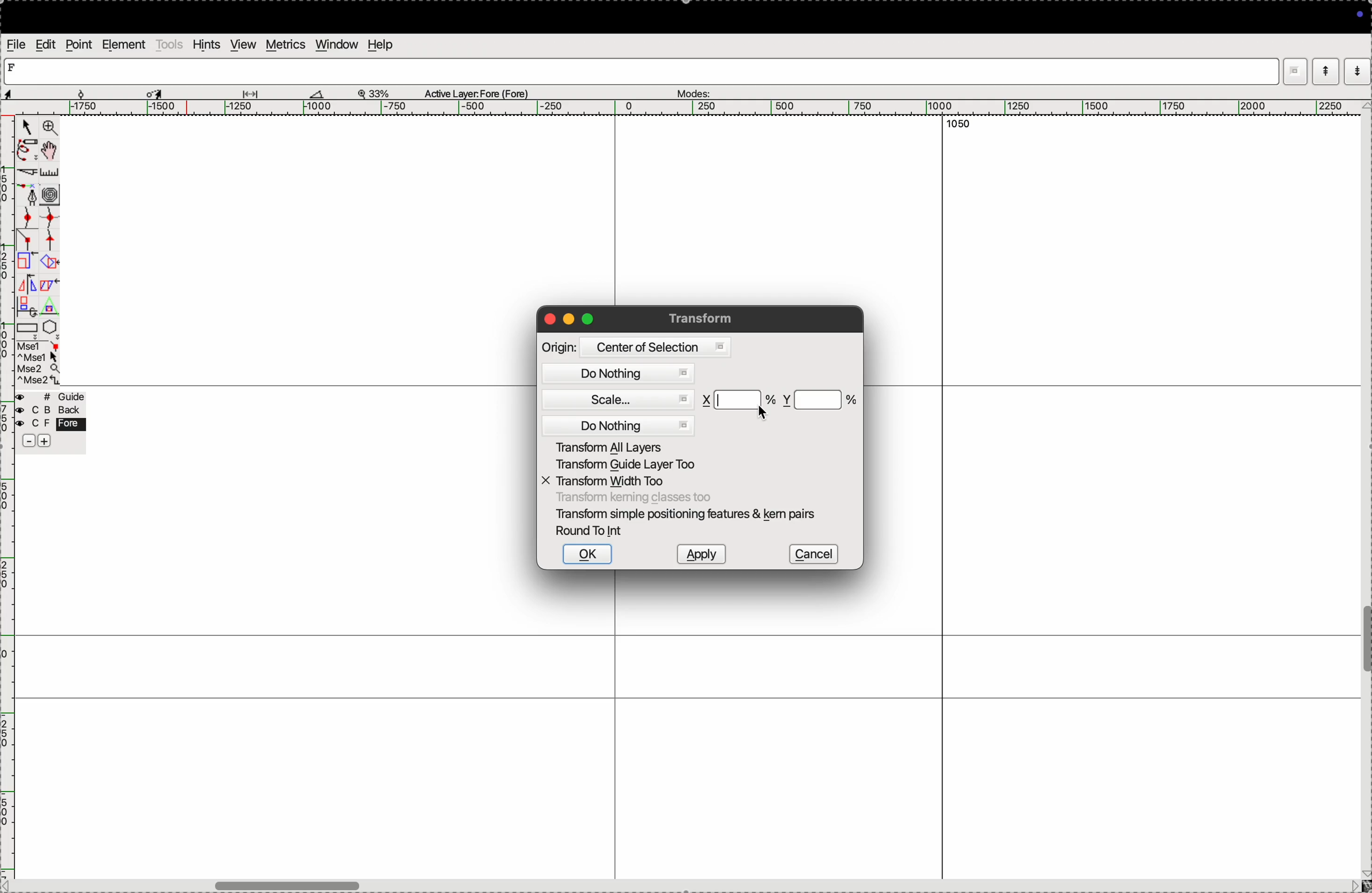 The width and height of the screenshot is (1372, 893). What do you see at coordinates (78, 46) in the screenshot?
I see `point` at bounding box center [78, 46].